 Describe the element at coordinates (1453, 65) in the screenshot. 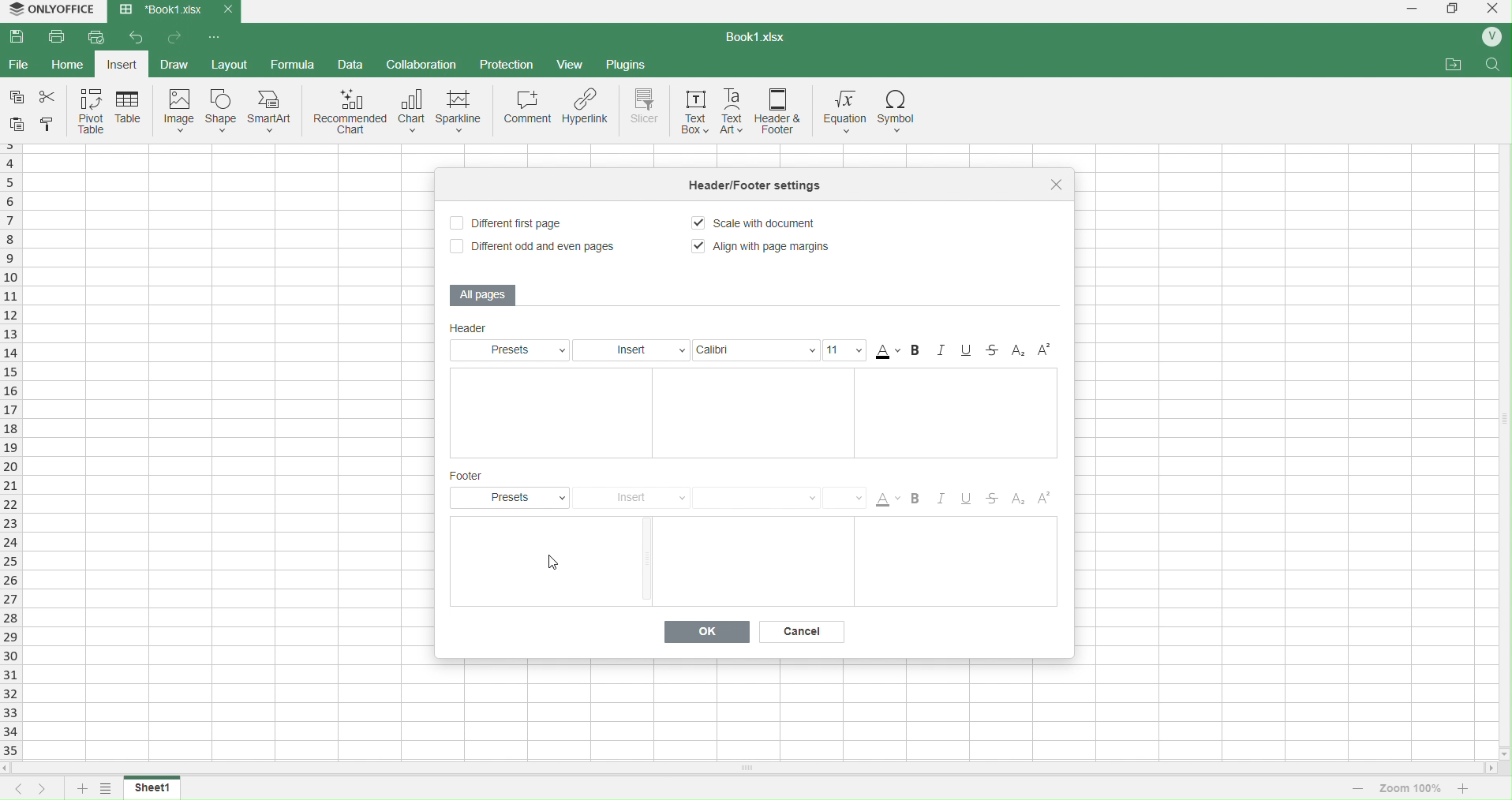

I see `attachments` at that location.